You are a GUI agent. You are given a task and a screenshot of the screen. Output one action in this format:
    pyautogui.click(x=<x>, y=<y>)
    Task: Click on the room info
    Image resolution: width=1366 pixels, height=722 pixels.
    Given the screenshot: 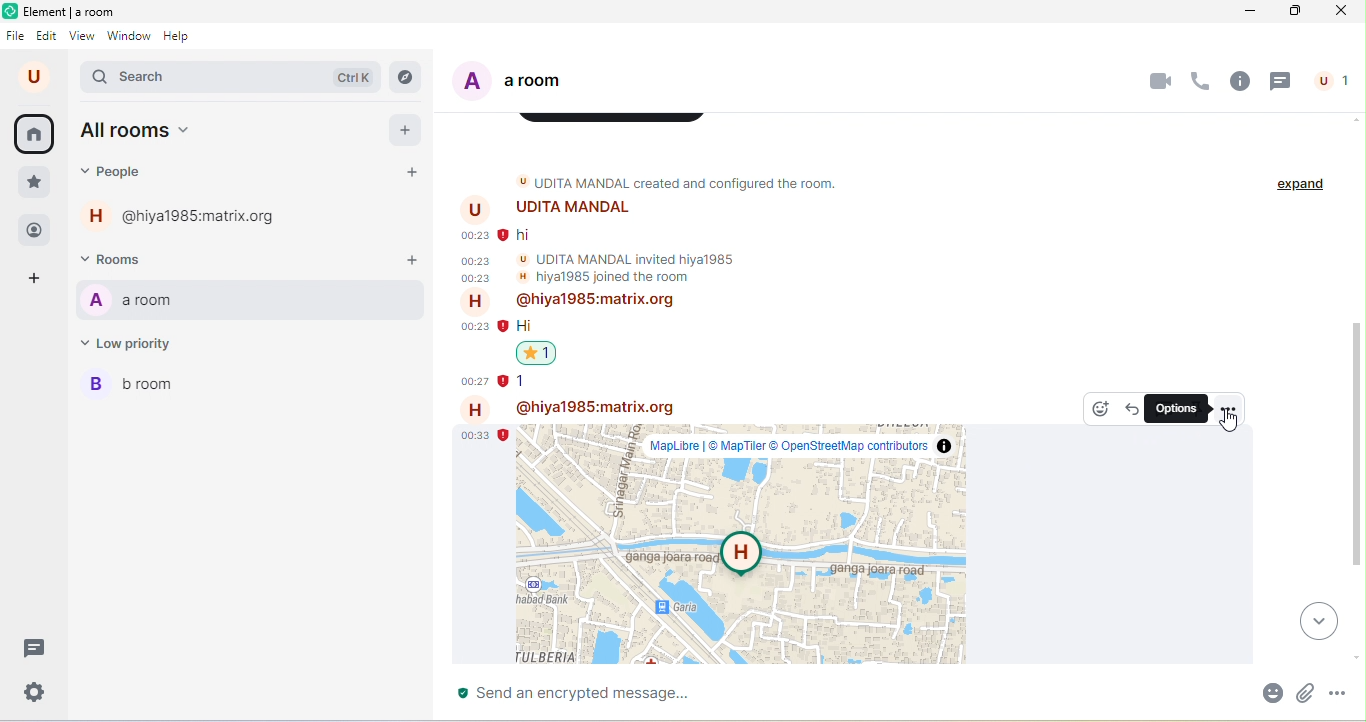 What is the action you would take?
    pyautogui.click(x=1241, y=81)
    